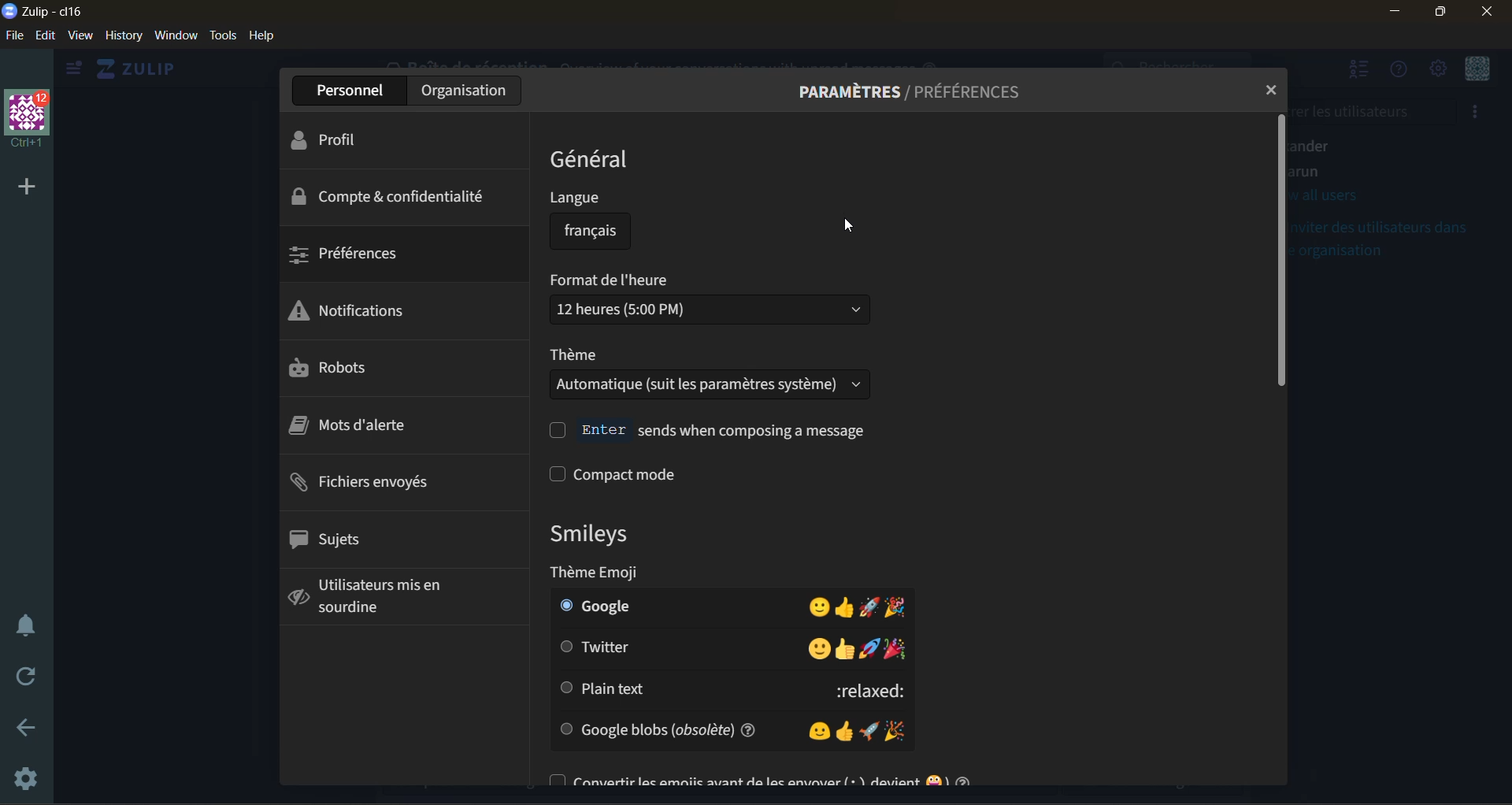  What do you see at coordinates (372, 484) in the screenshot?
I see `uploaded files` at bounding box center [372, 484].